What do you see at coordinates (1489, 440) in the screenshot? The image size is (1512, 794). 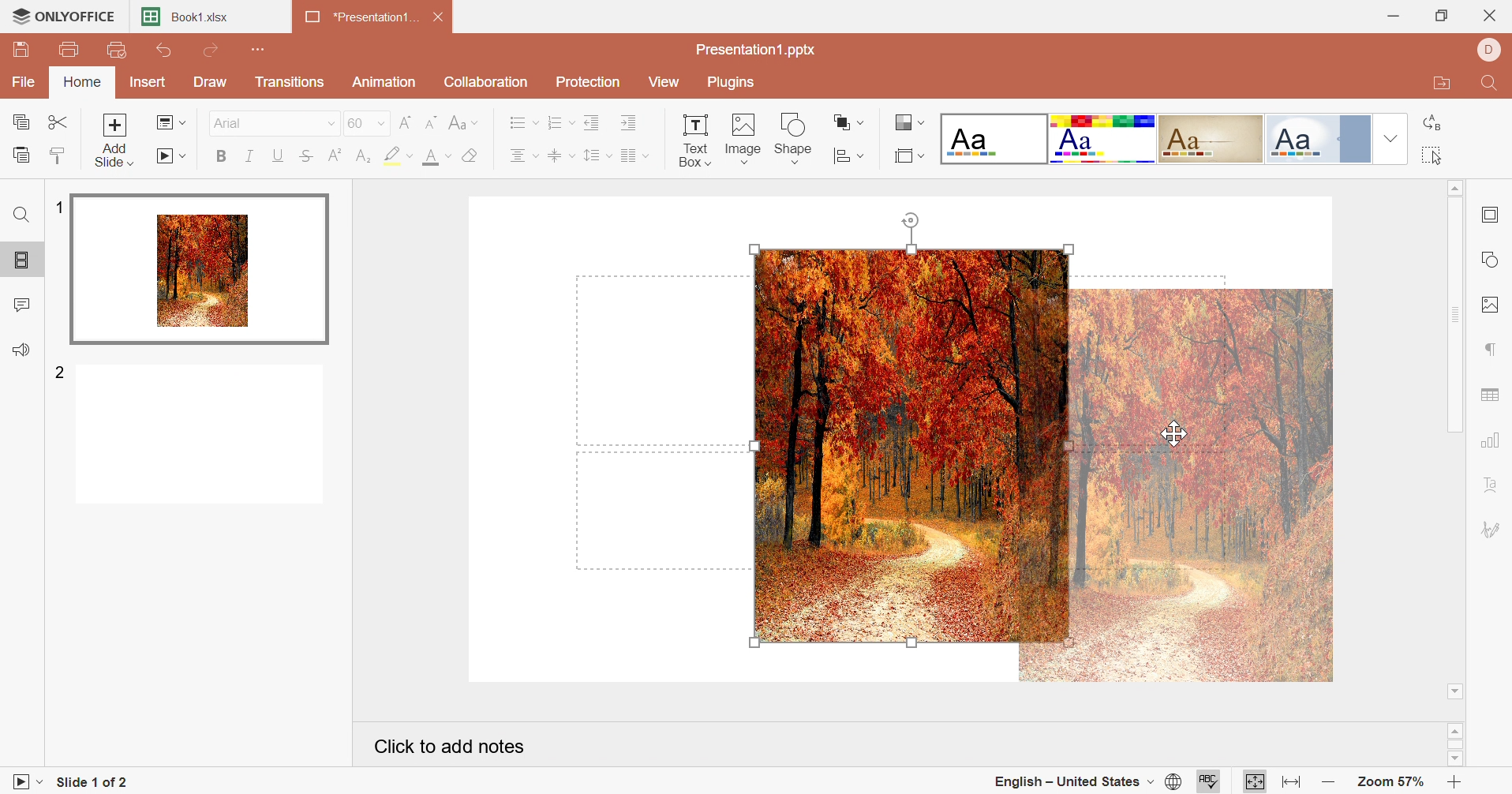 I see `Chart settings` at bounding box center [1489, 440].